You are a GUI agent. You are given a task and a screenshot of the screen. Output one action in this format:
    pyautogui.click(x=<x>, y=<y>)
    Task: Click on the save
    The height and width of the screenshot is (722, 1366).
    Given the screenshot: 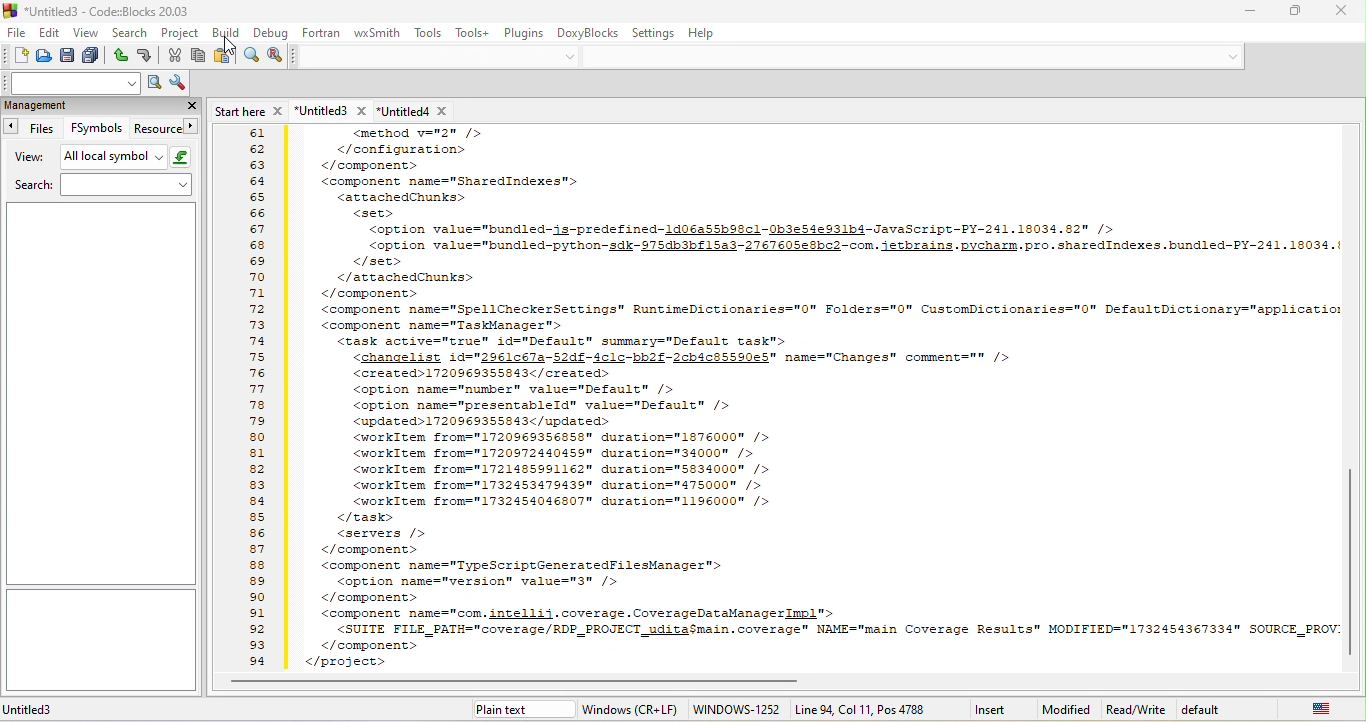 What is the action you would take?
    pyautogui.click(x=68, y=56)
    